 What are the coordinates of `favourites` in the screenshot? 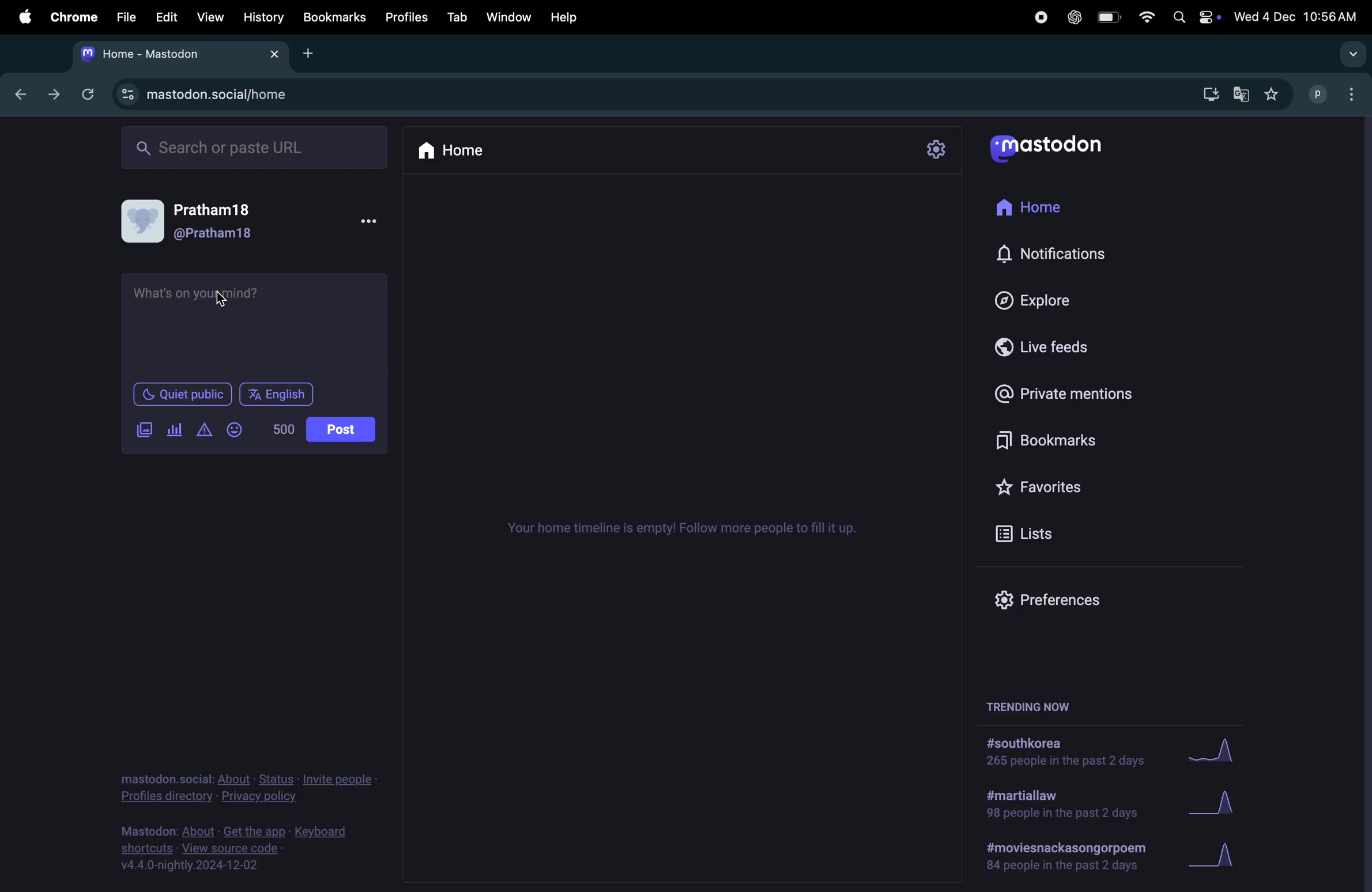 It's located at (1273, 93).